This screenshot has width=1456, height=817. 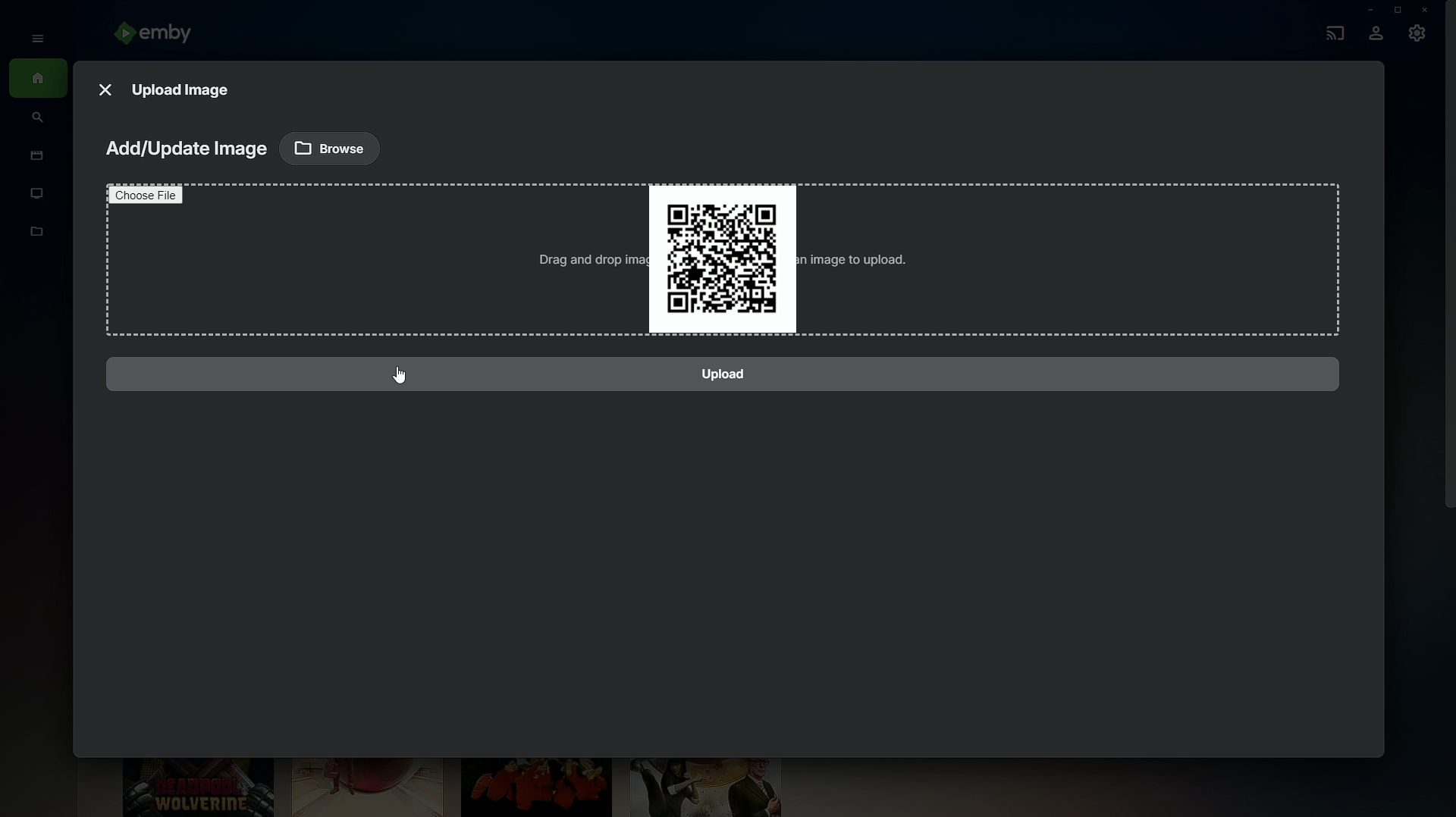 I want to click on Show menu, so click(x=33, y=37).